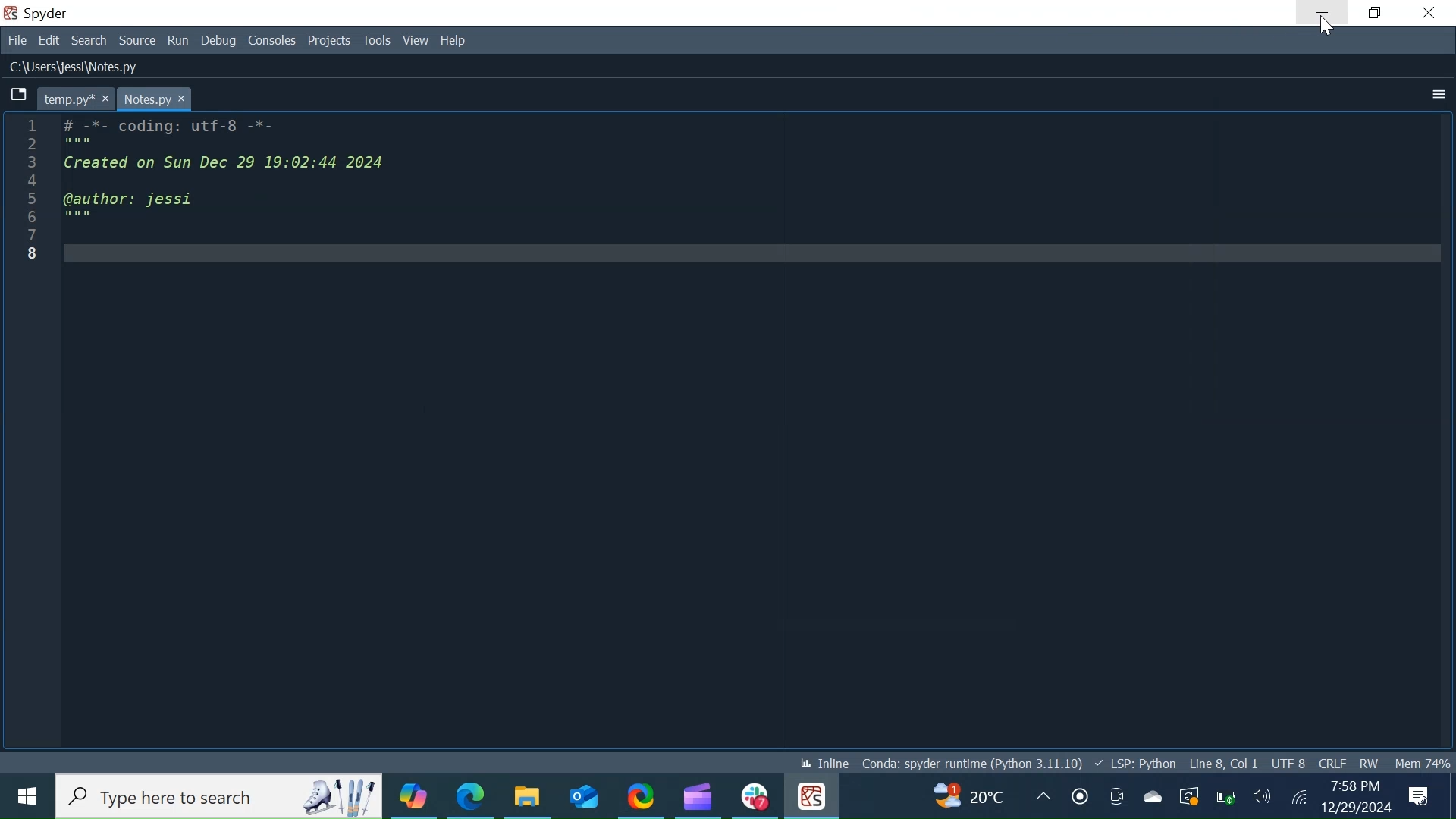 This screenshot has width=1456, height=819. What do you see at coordinates (154, 96) in the screenshot?
I see `Notes.py` at bounding box center [154, 96].